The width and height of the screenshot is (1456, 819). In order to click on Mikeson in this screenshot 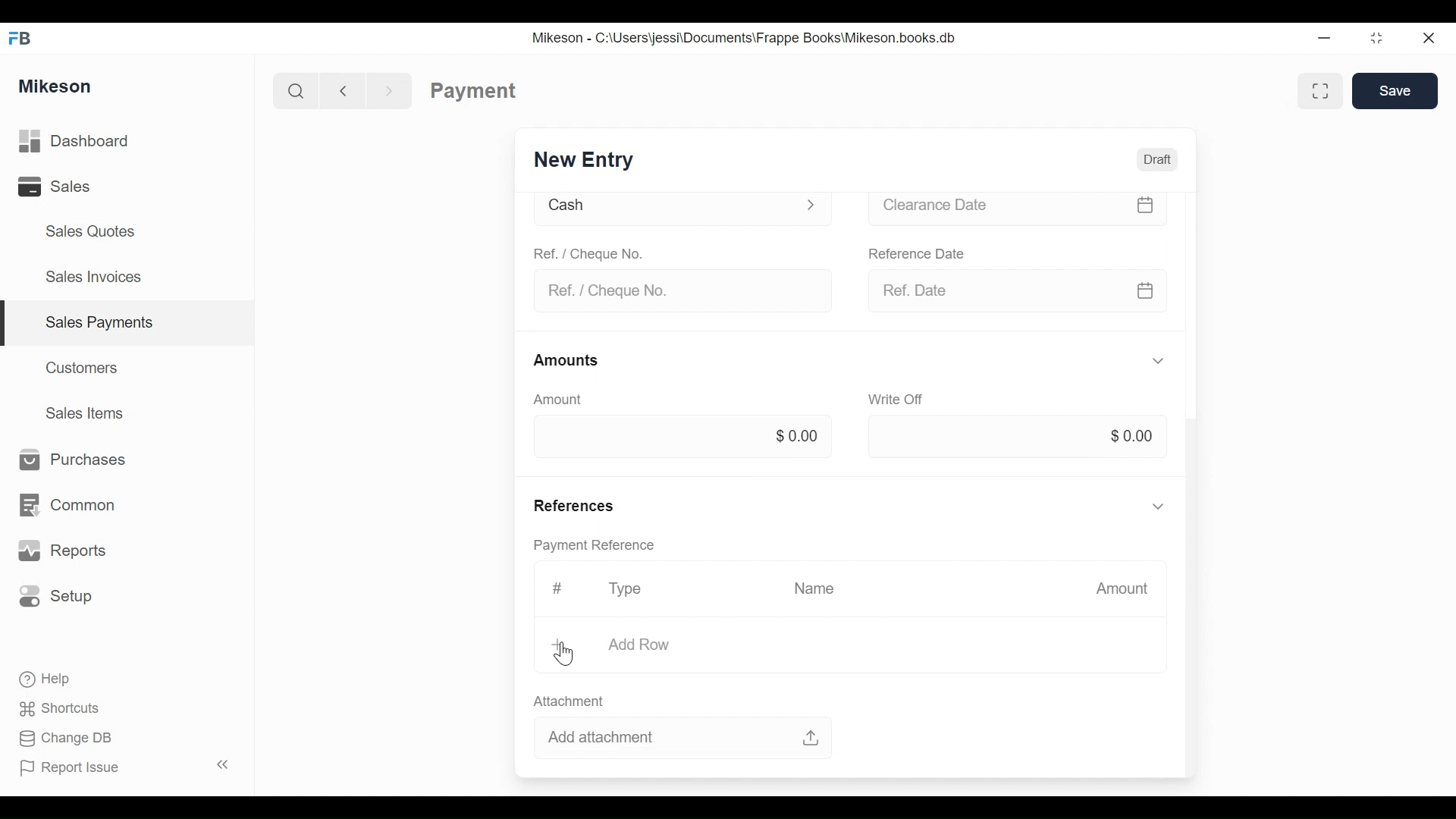, I will do `click(56, 84)`.